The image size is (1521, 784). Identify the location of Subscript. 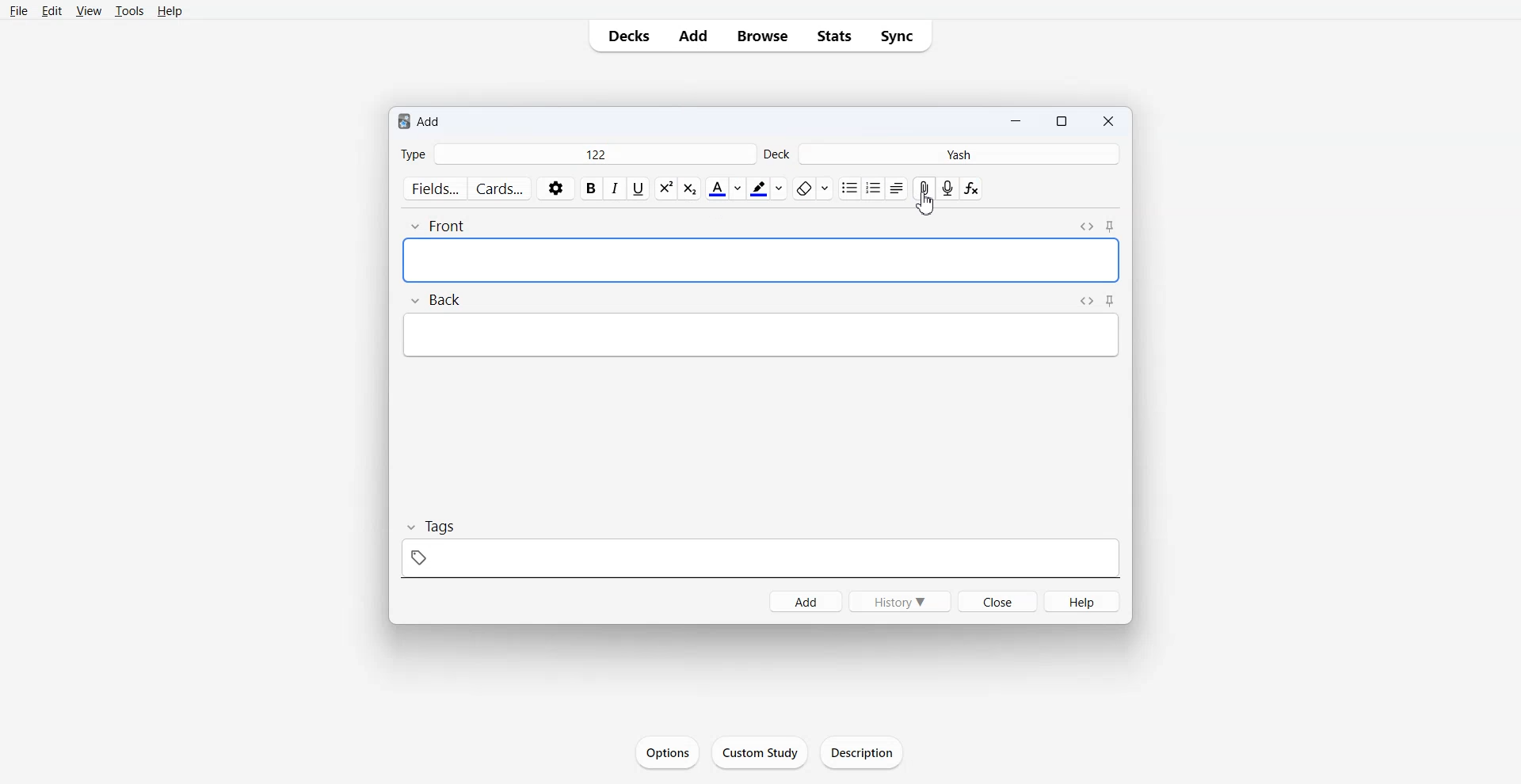
(666, 188).